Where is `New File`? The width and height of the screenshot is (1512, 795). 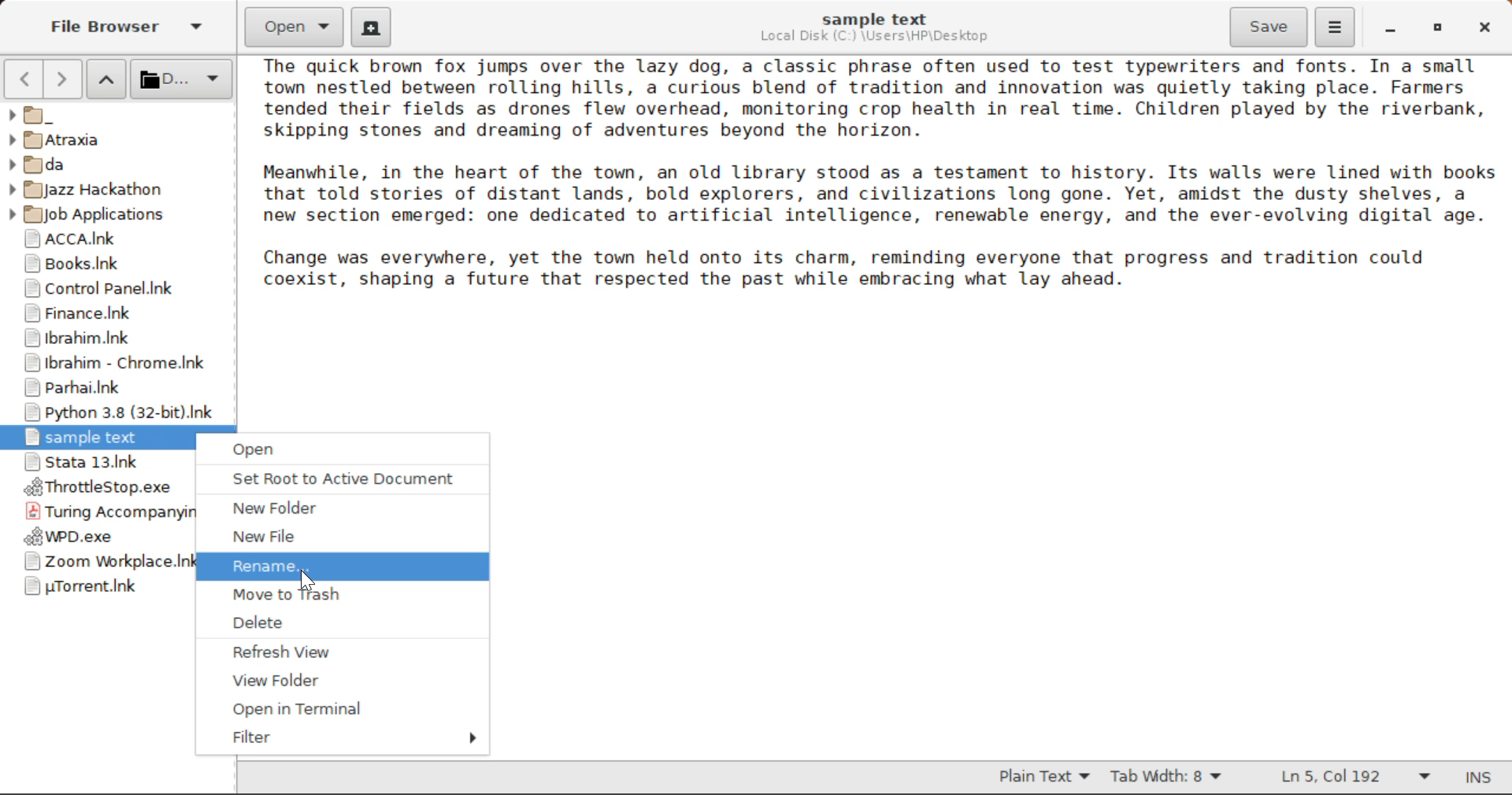 New File is located at coordinates (339, 537).